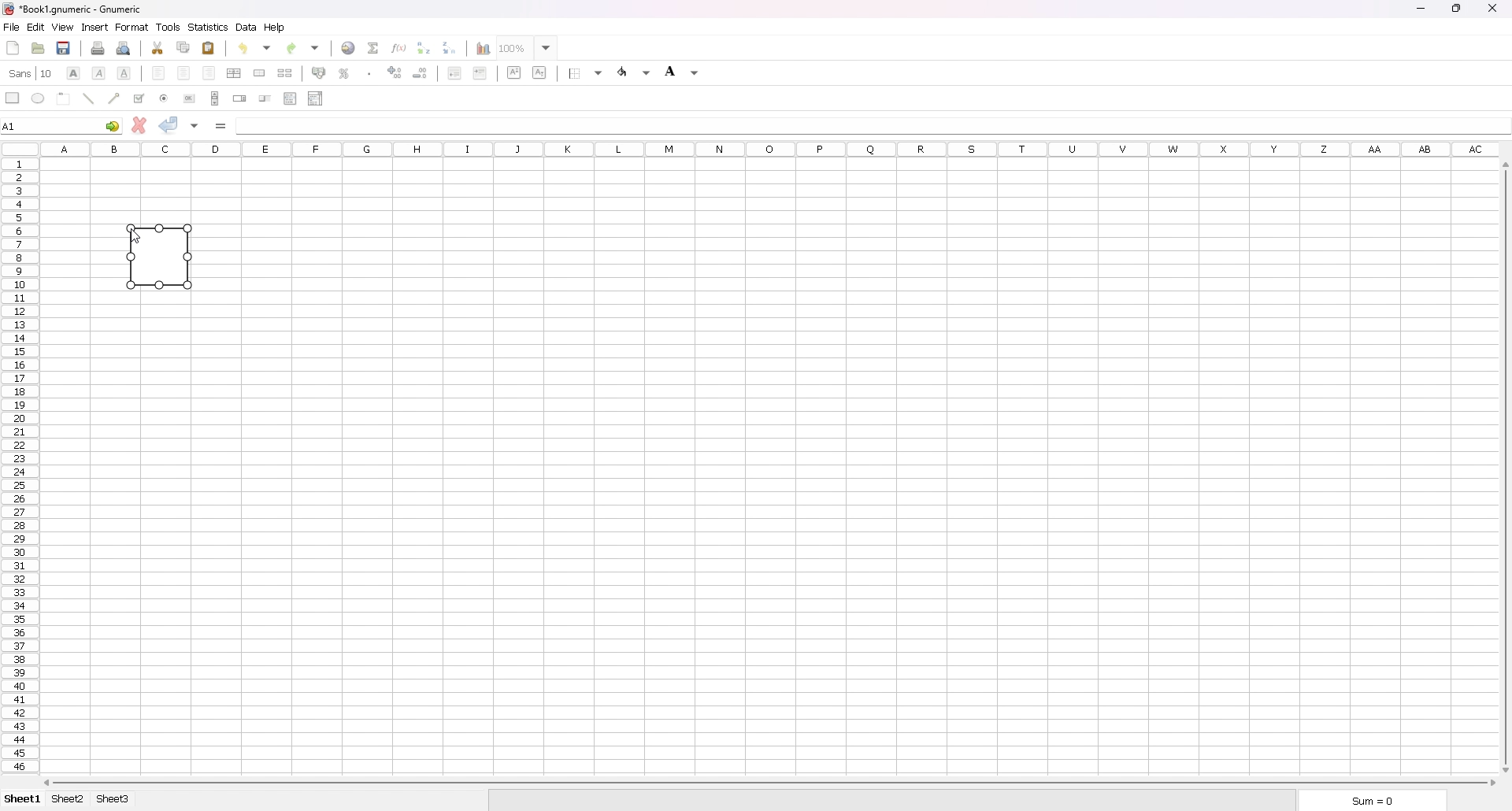 The image size is (1512, 811). What do you see at coordinates (770, 150) in the screenshot?
I see `column` at bounding box center [770, 150].